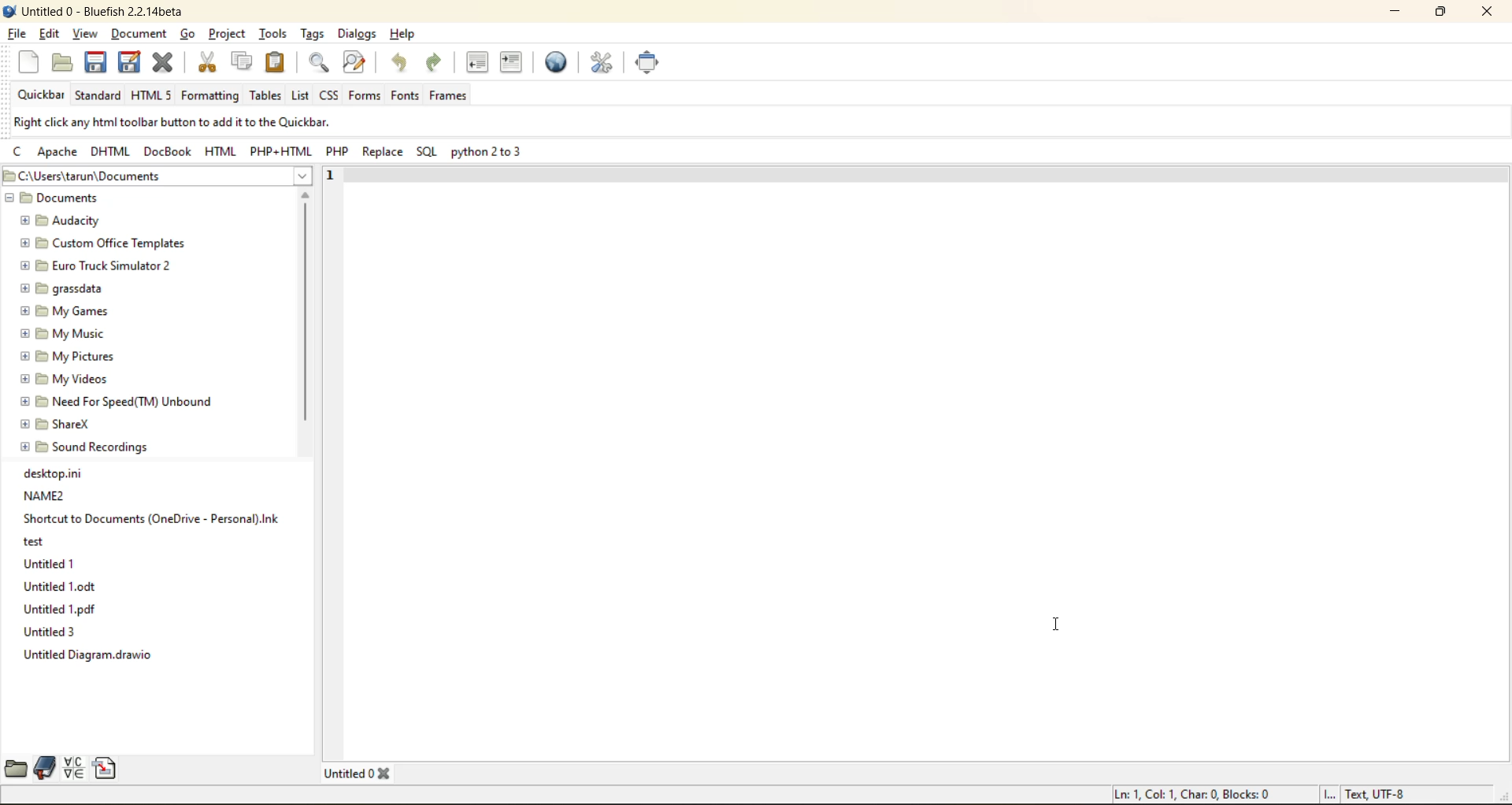 The height and width of the screenshot is (805, 1512). What do you see at coordinates (57, 587) in the screenshot?
I see `Untitled 1.odt` at bounding box center [57, 587].